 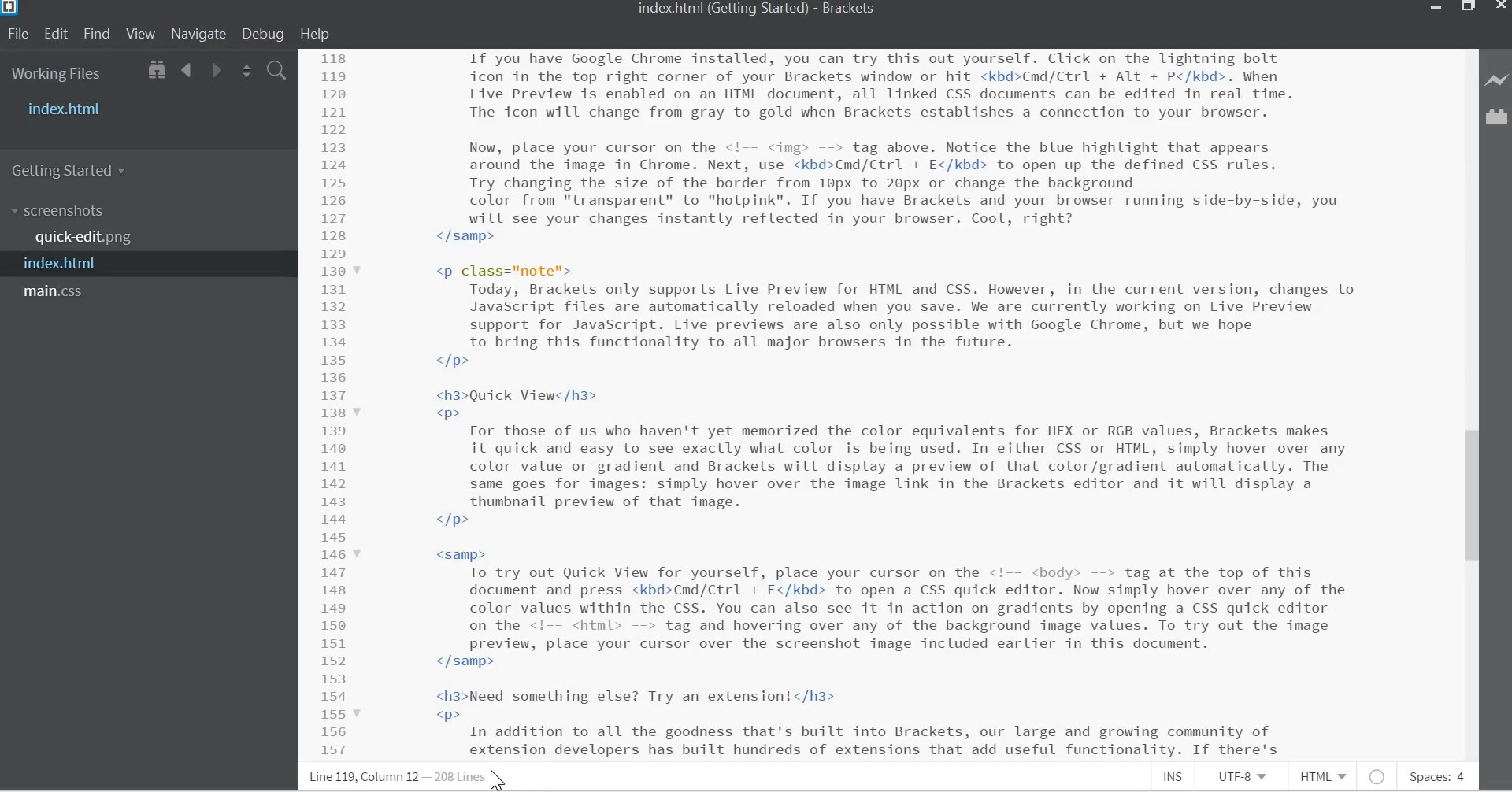 I want to click on Insert, so click(x=1174, y=775).